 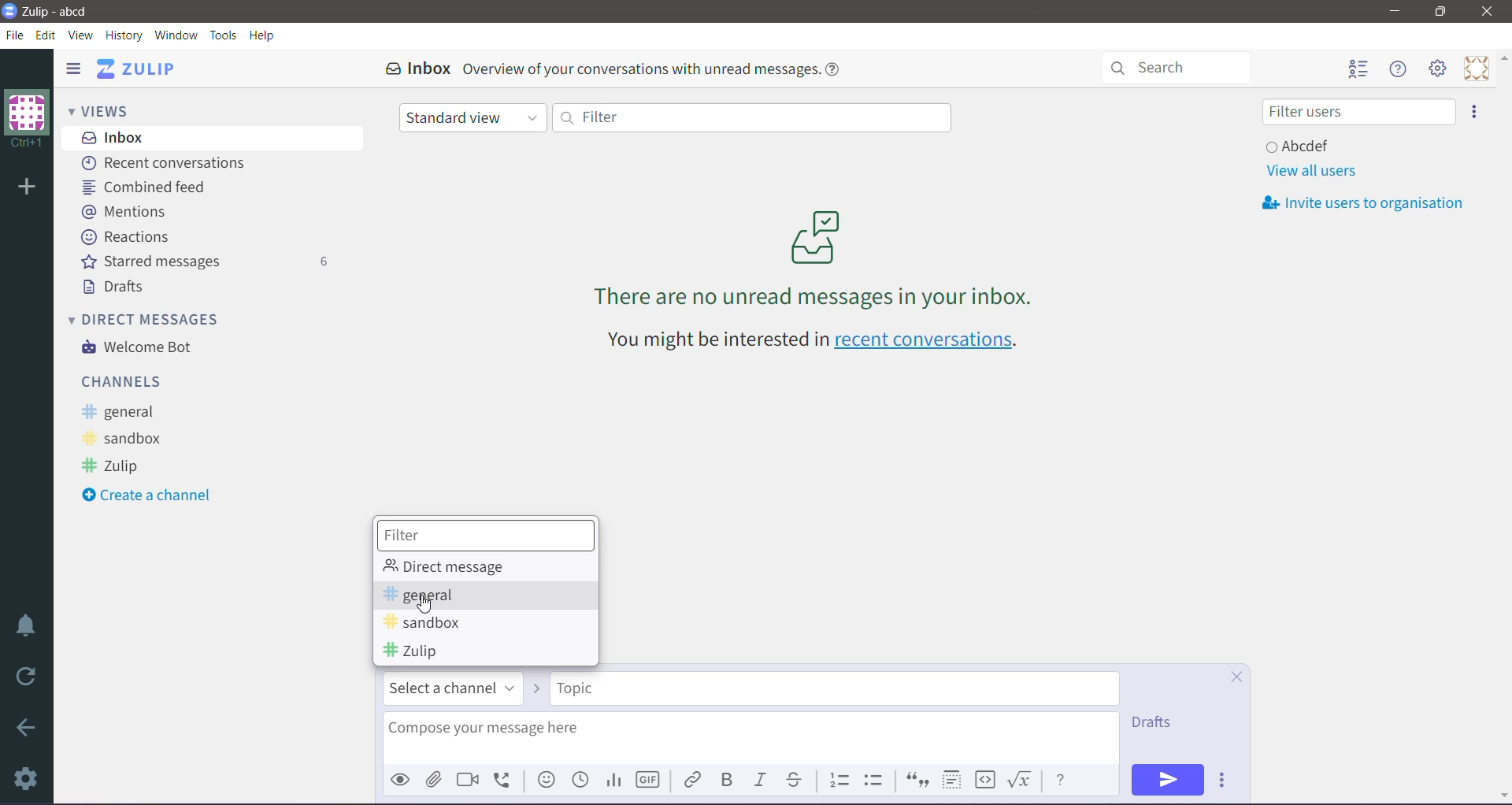 I want to click on Minimize, so click(x=1395, y=11).